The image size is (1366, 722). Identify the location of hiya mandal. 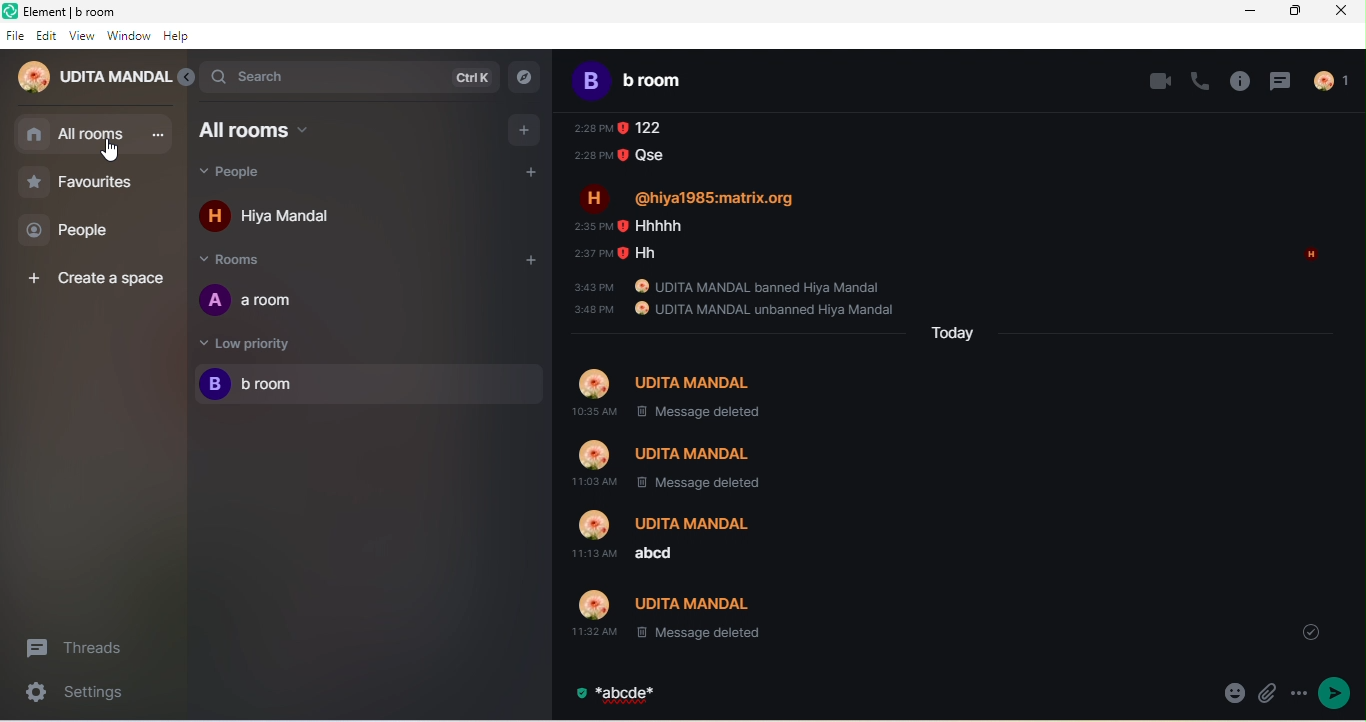
(277, 215).